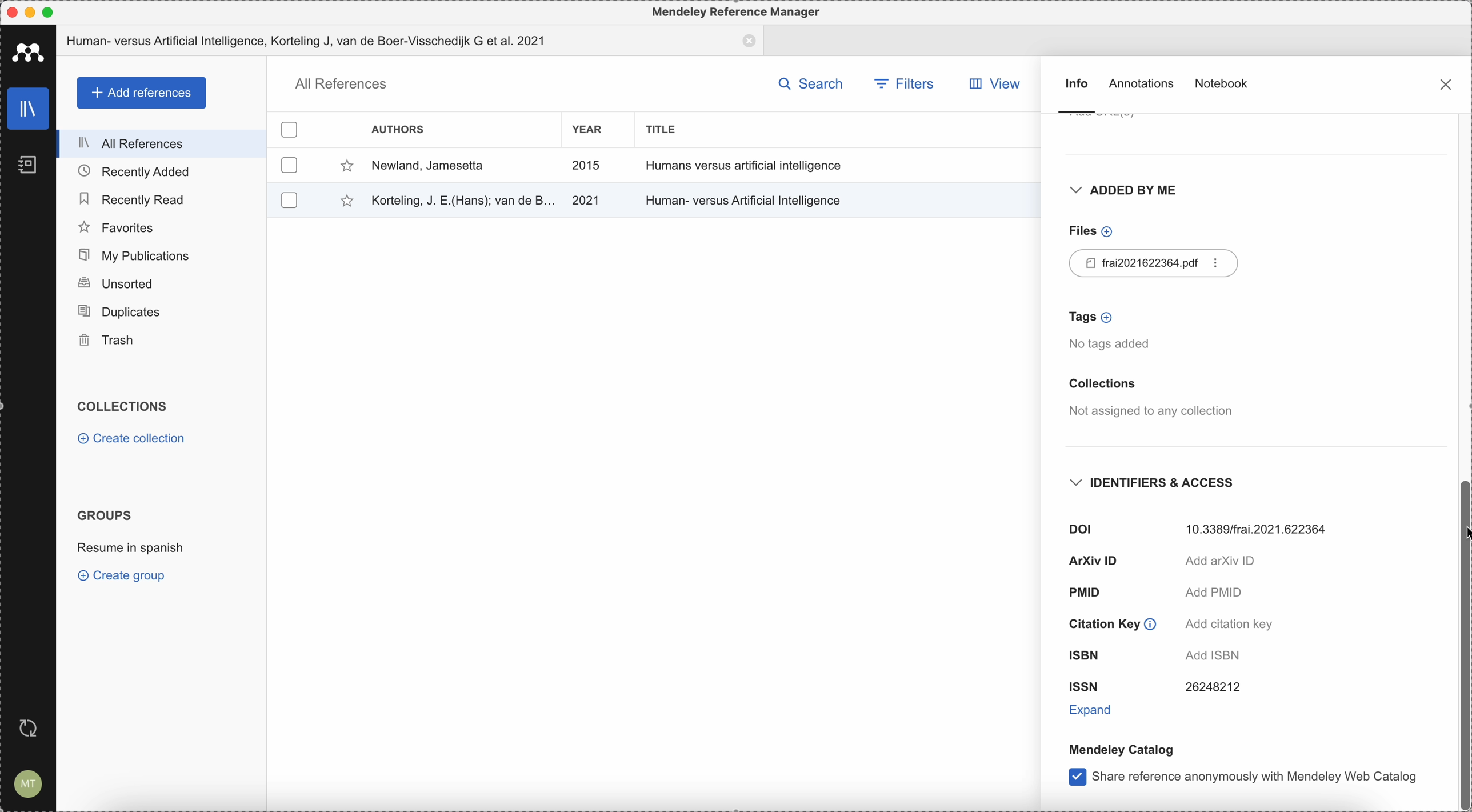  What do you see at coordinates (1158, 483) in the screenshot?
I see `identifiers and access` at bounding box center [1158, 483].